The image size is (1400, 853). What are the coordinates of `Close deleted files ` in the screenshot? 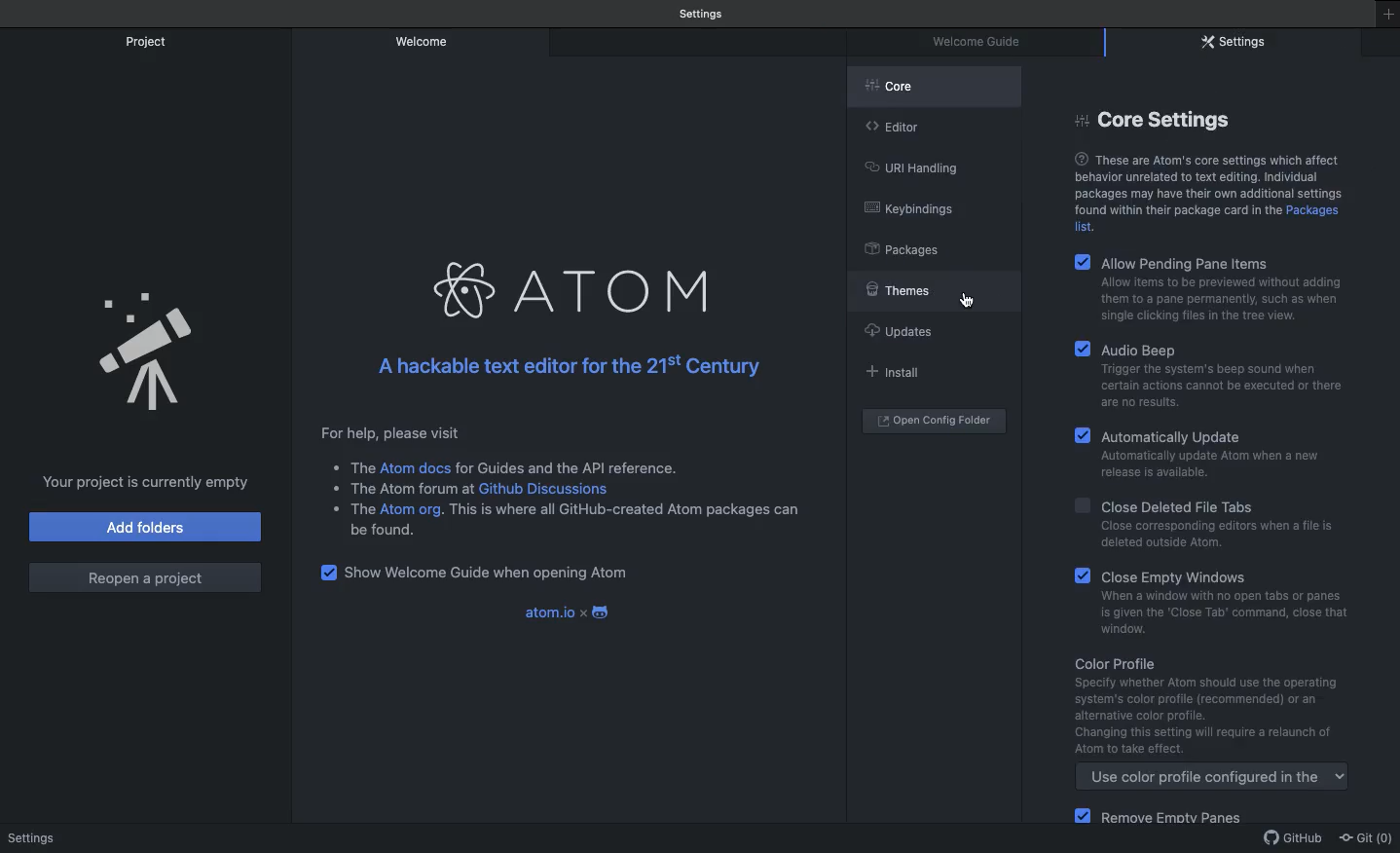 It's located at (1187, 505).